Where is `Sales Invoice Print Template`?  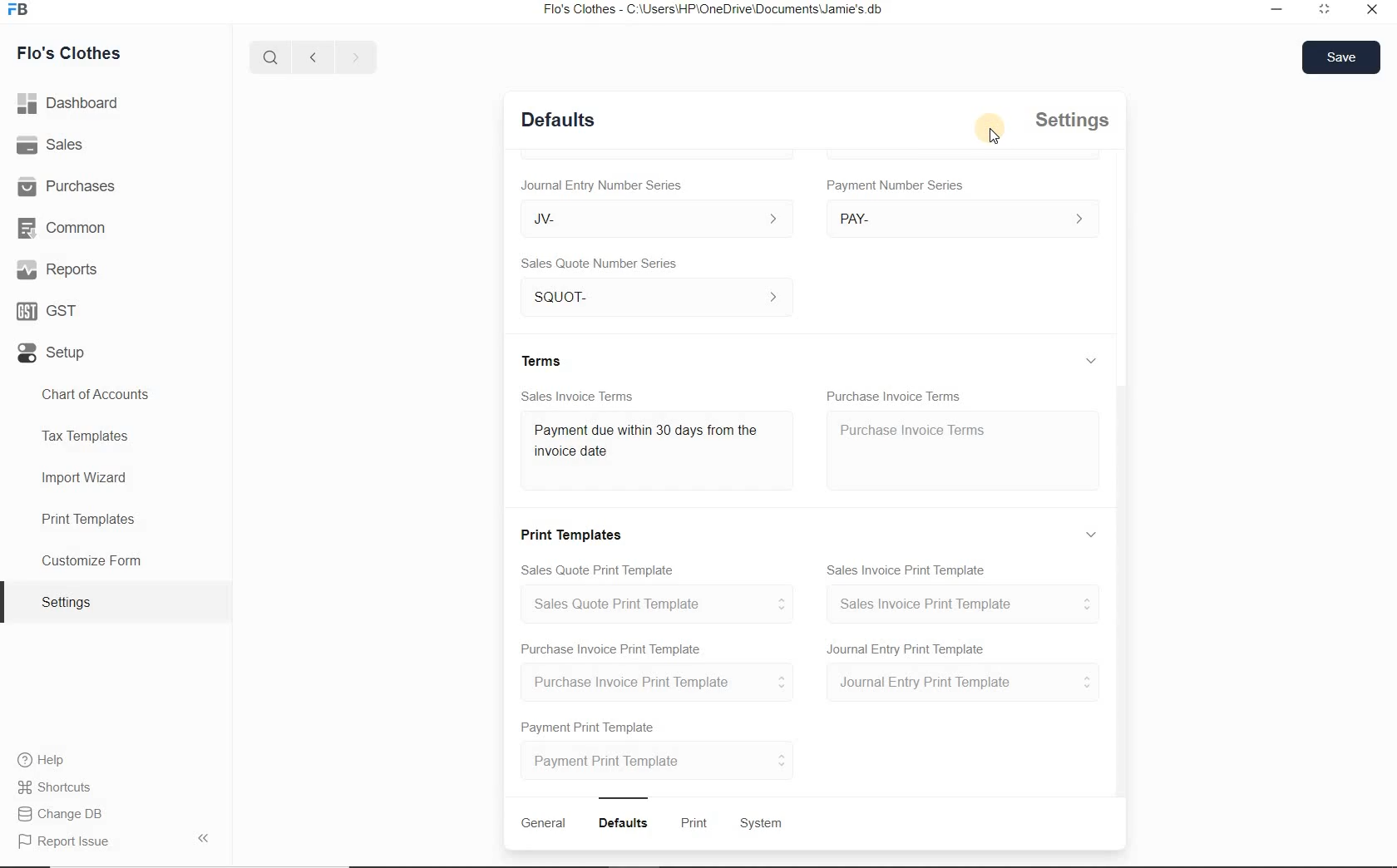 Sales Invoice Print Template is located at coordinates (906, 570).